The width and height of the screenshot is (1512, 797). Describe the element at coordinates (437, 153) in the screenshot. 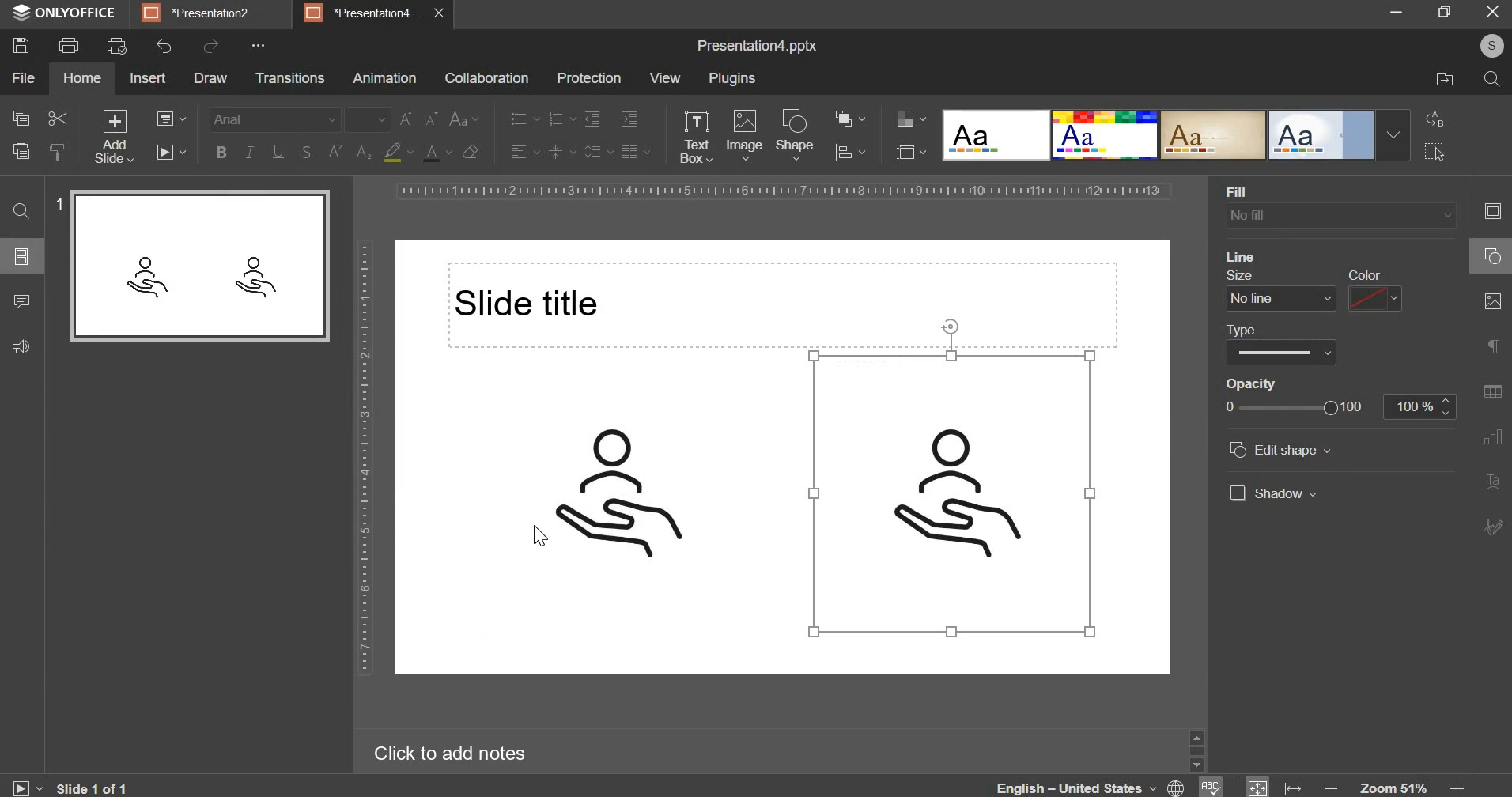

I see `text color` at that location.